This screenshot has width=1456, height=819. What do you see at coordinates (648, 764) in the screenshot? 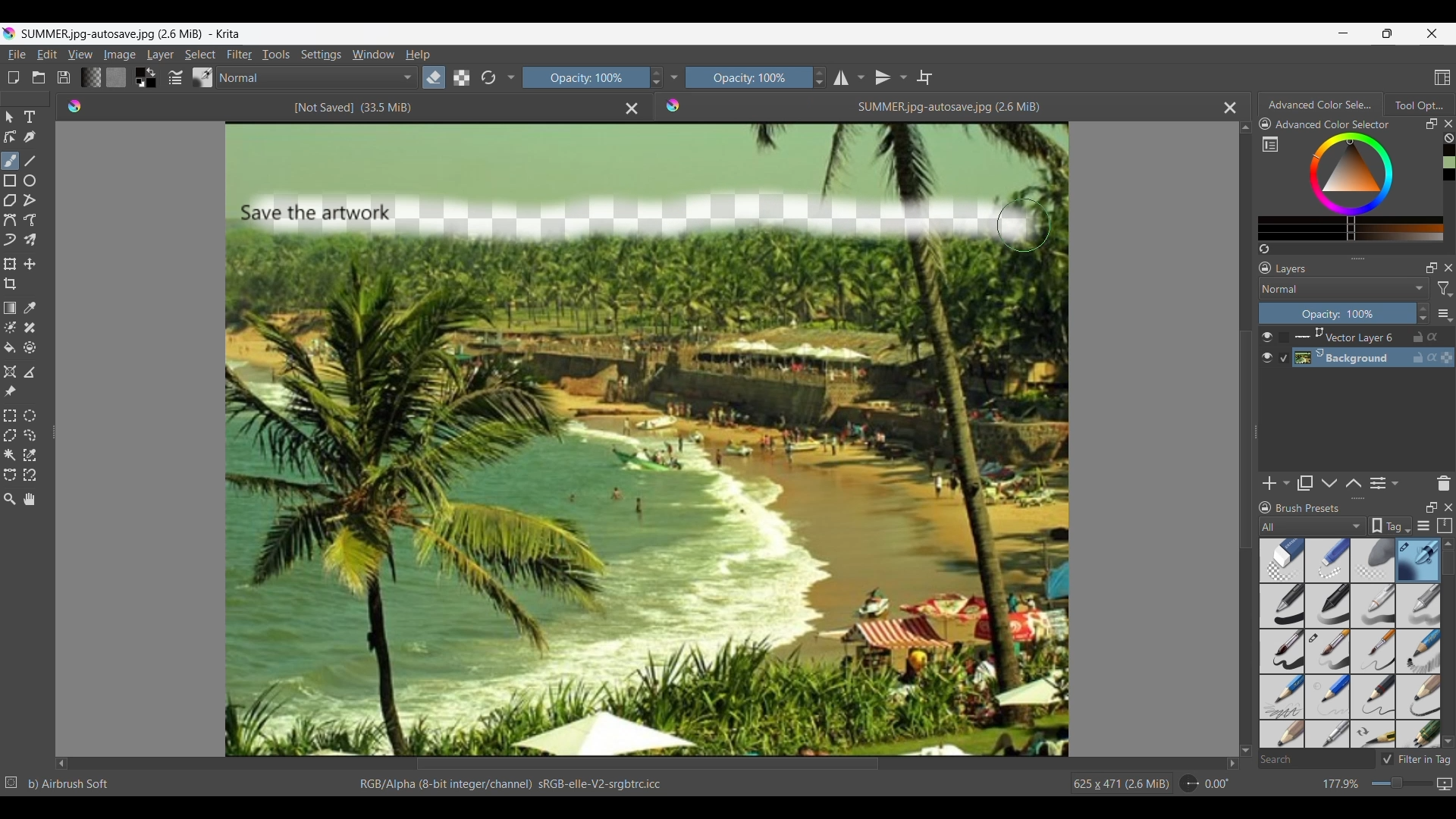
I see `Horizontal slide bar` at bounding box center [648, 764].